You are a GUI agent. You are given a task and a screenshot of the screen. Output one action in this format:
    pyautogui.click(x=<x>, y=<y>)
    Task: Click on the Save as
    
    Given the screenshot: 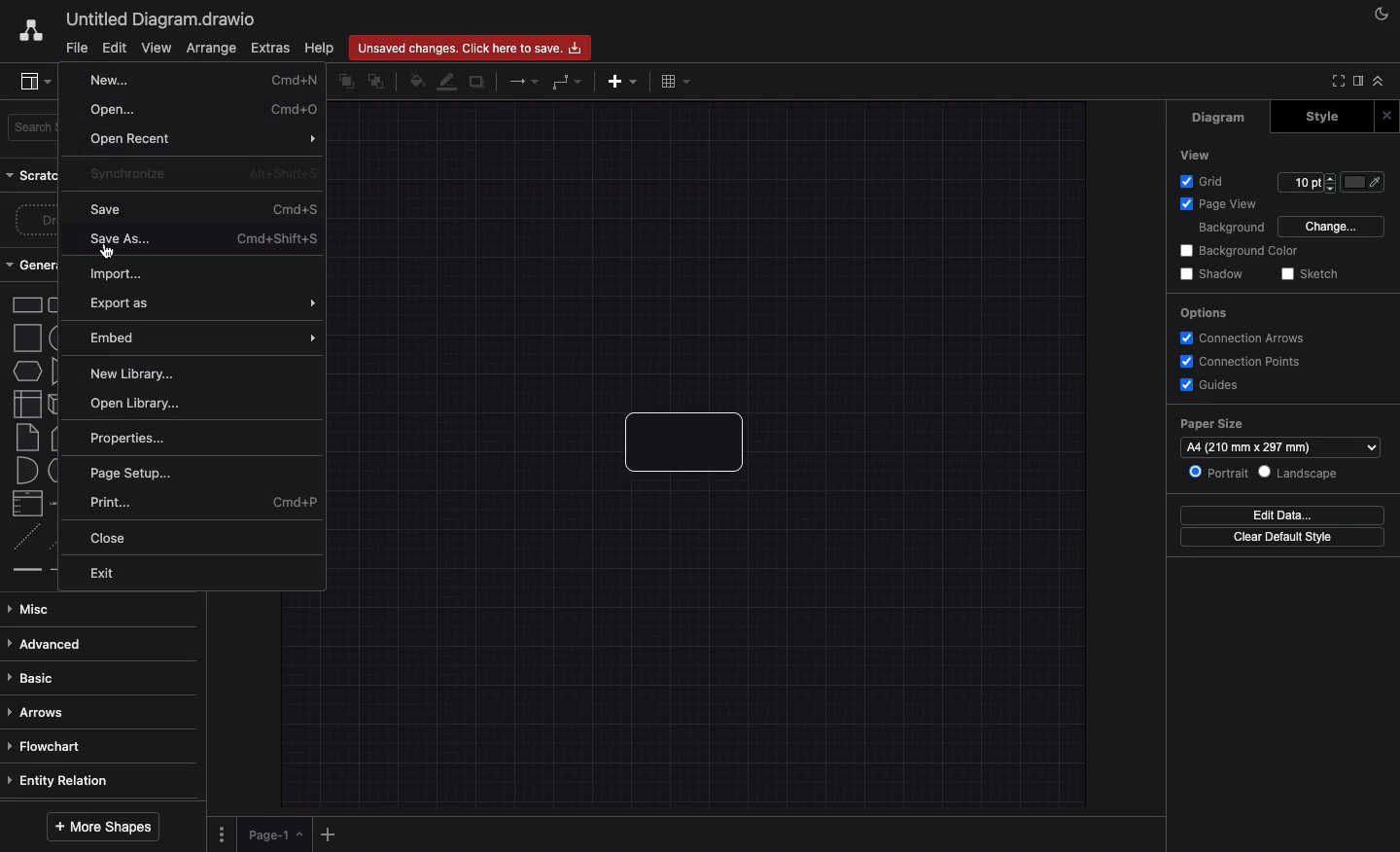 What is the action you would take?
    pyautogui.click(x=211, y=240)
    